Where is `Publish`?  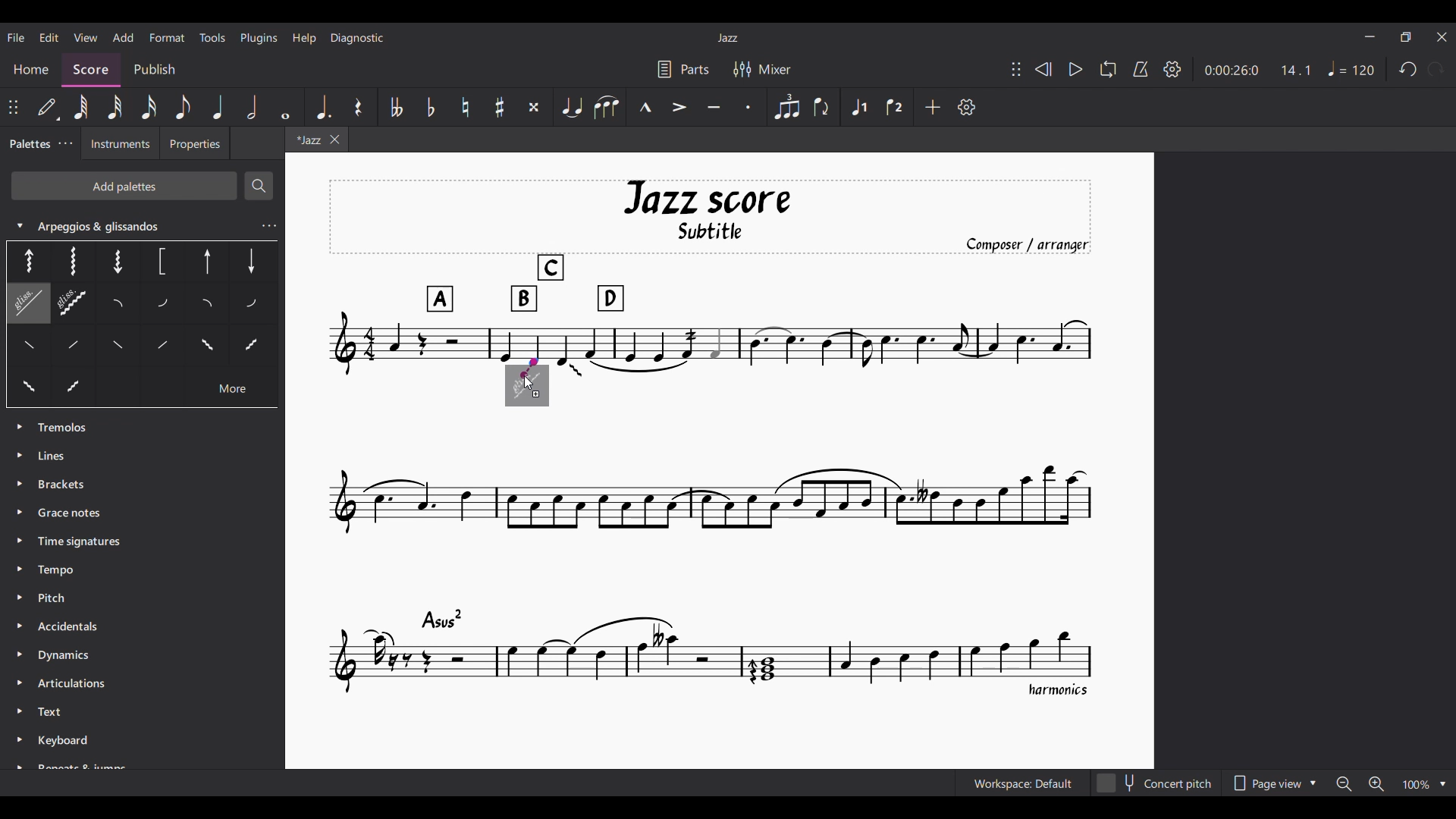 Publish is located at coordinates (155, 68).